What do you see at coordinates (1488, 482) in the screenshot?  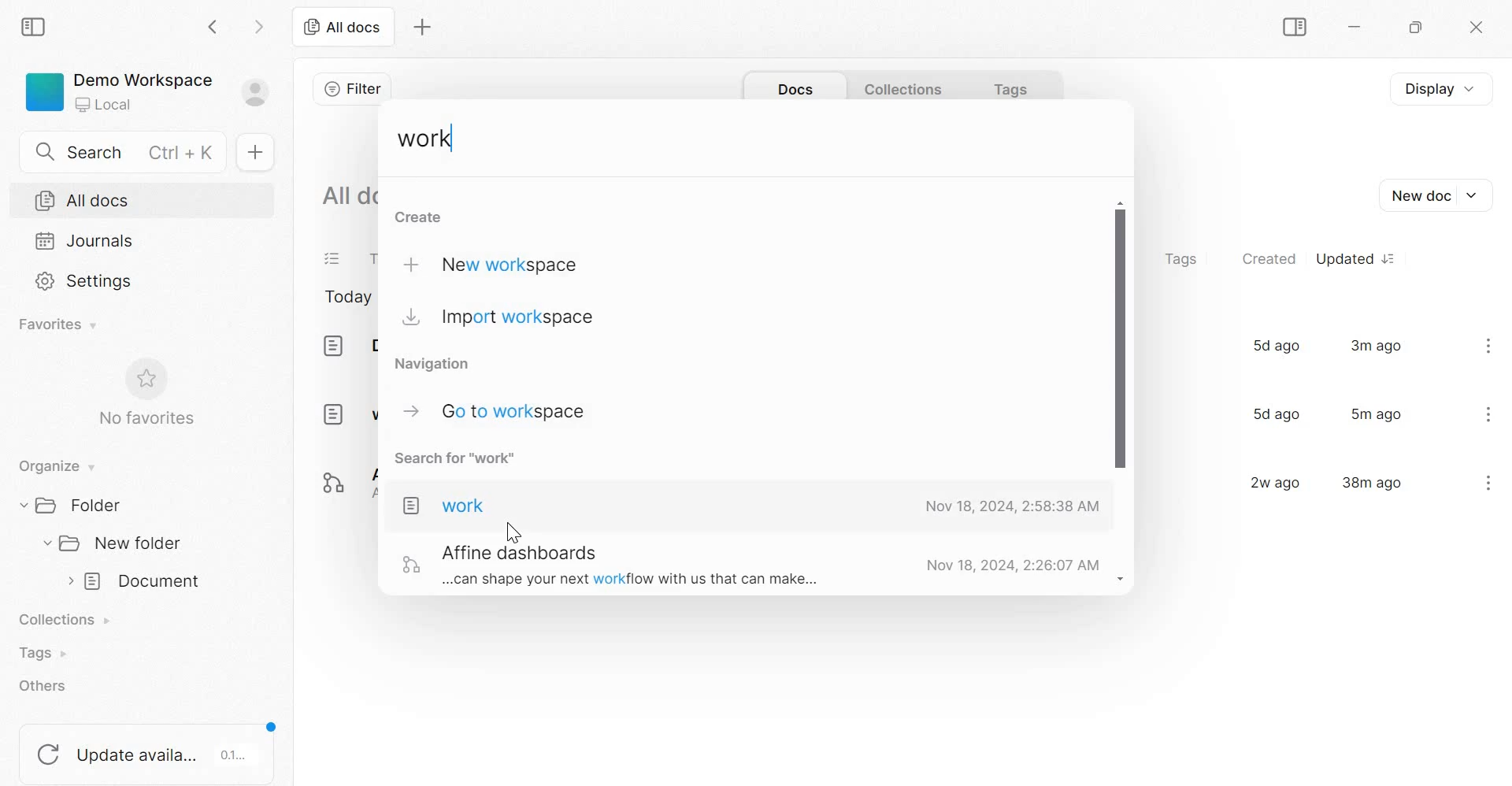 I see `kebab menu` at bounding box center [1488, 482].